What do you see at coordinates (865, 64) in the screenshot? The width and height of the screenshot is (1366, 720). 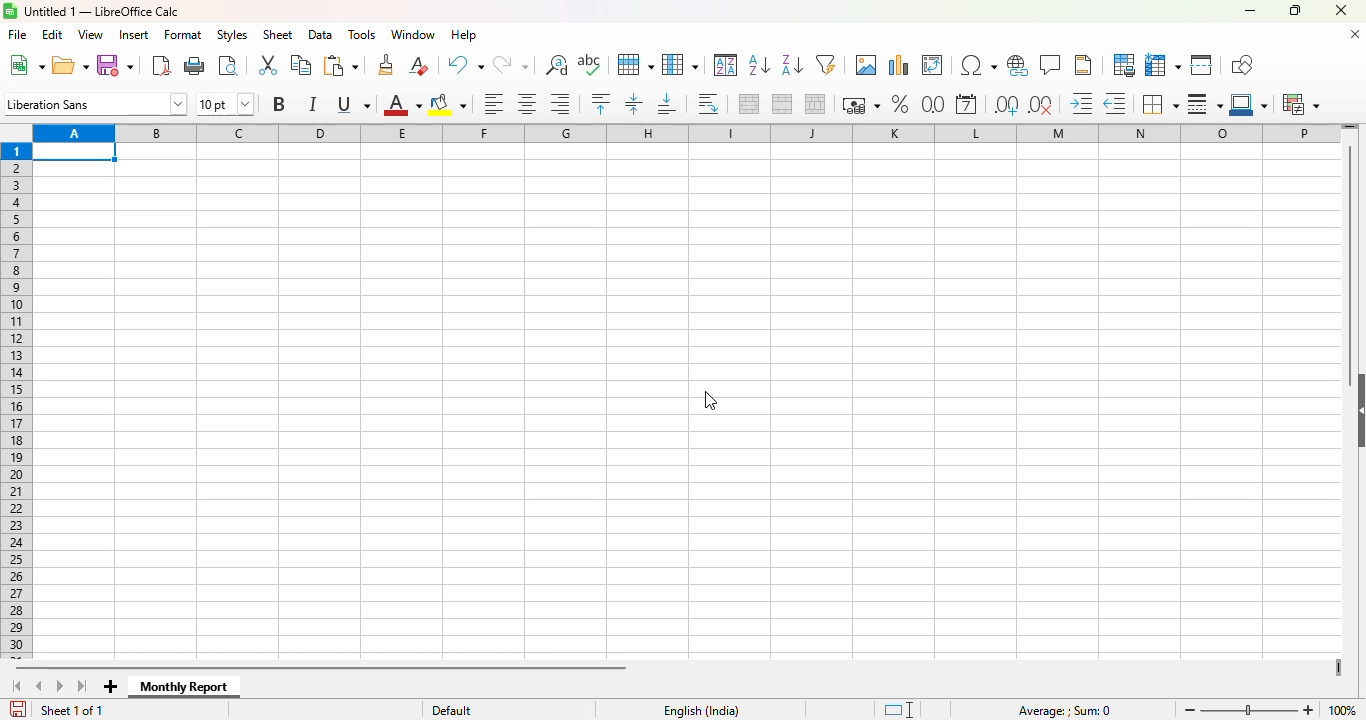 I see `insert image` at bounding box center [865, 64].